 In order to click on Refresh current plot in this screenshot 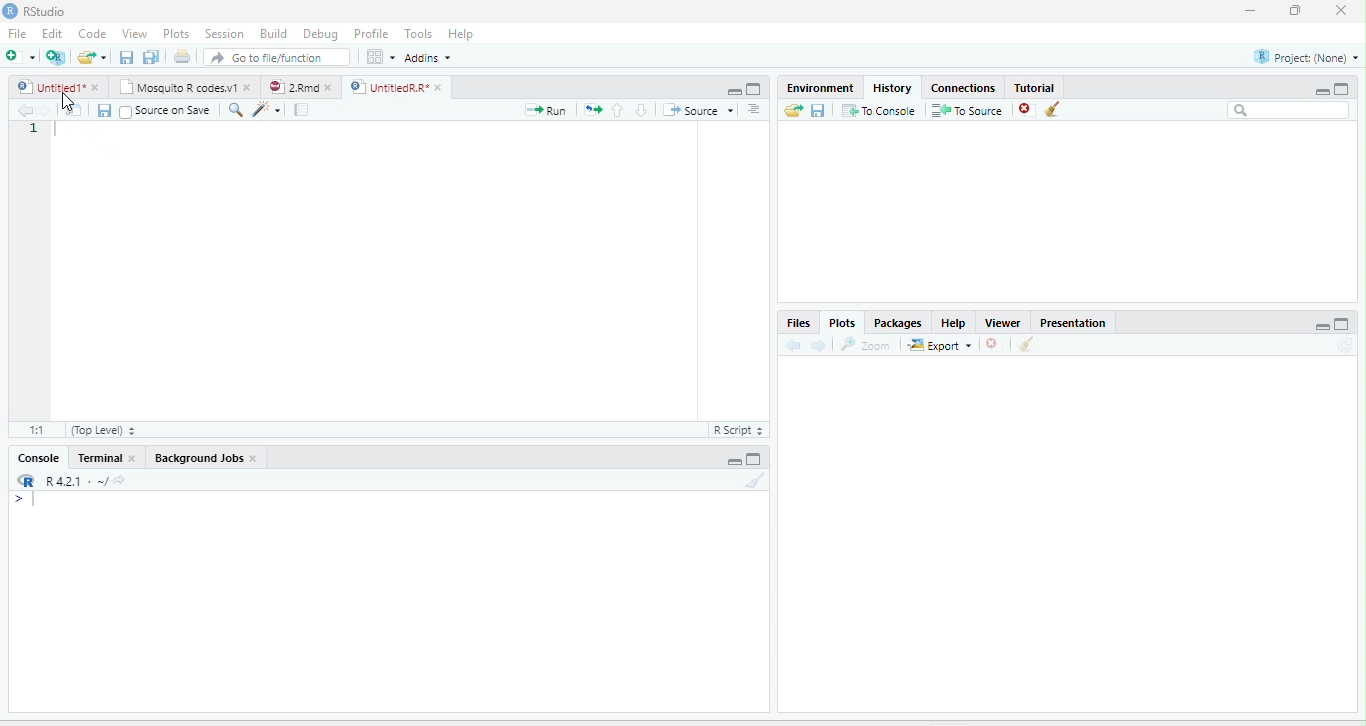, I will do `click(1346, 345)`.